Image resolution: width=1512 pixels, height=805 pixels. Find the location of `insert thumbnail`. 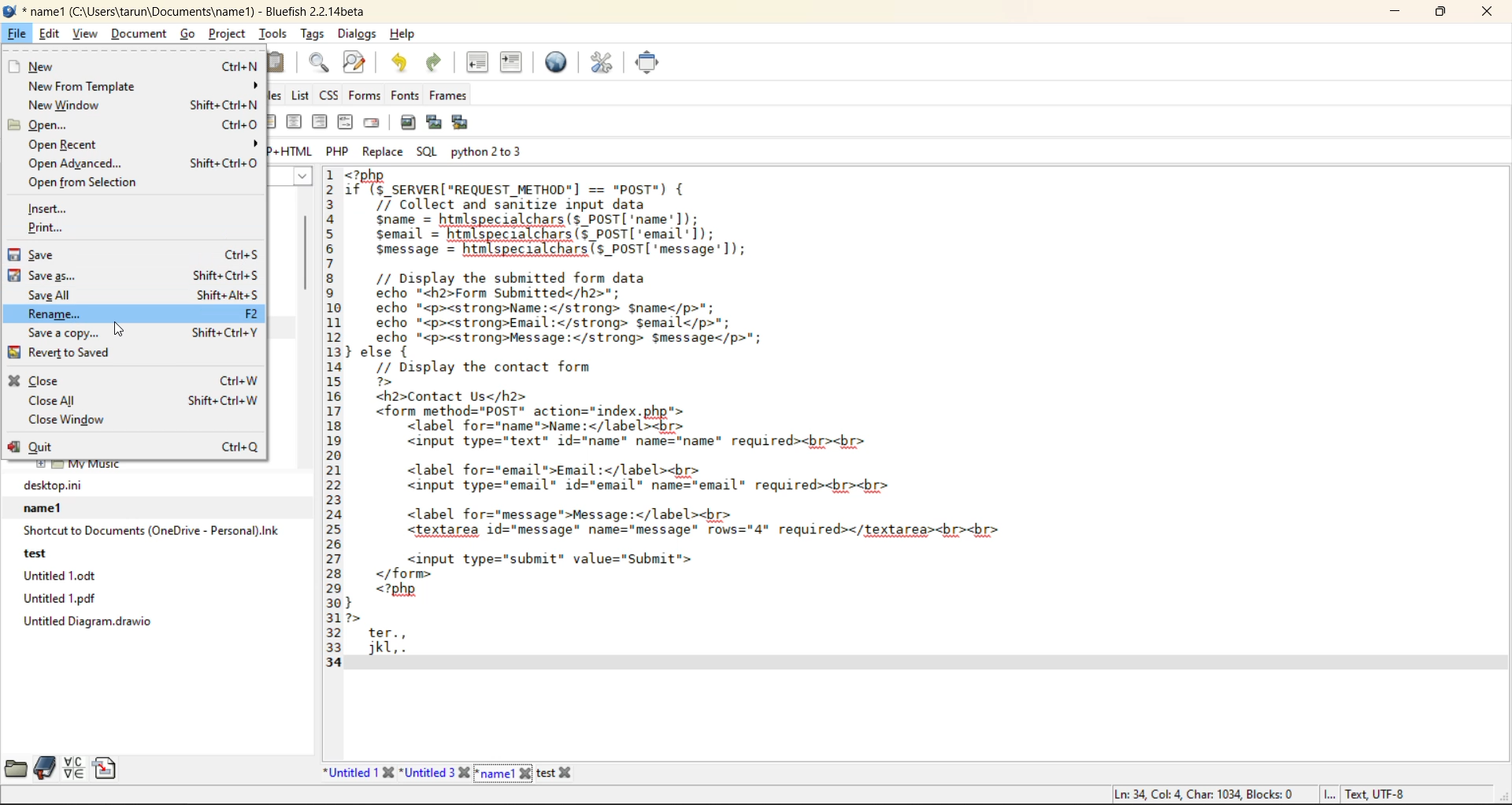

insert thumbnail is located at coordinates (433, 121).